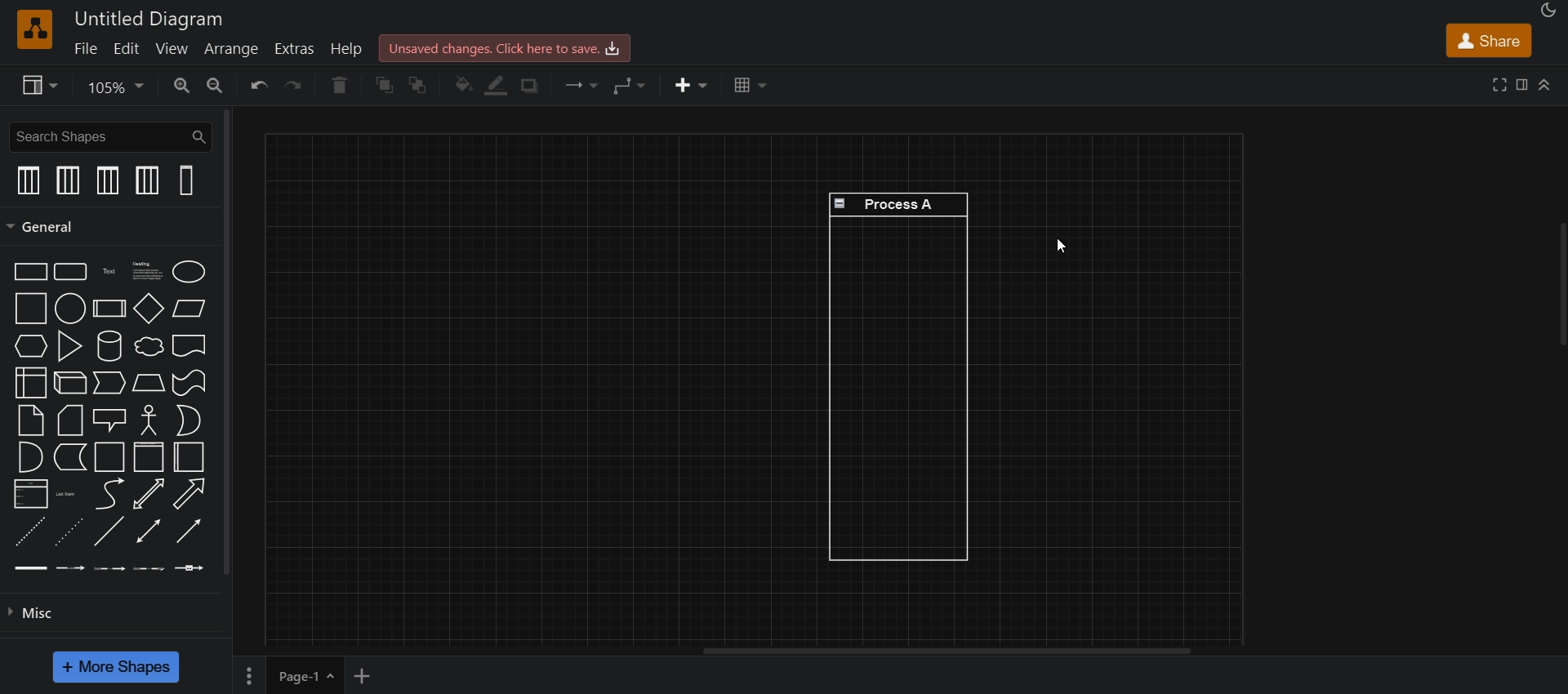  What do you see at coordinates (461, 85) in the screenshot?
I see `fill color` at bounding box center [461, 85].